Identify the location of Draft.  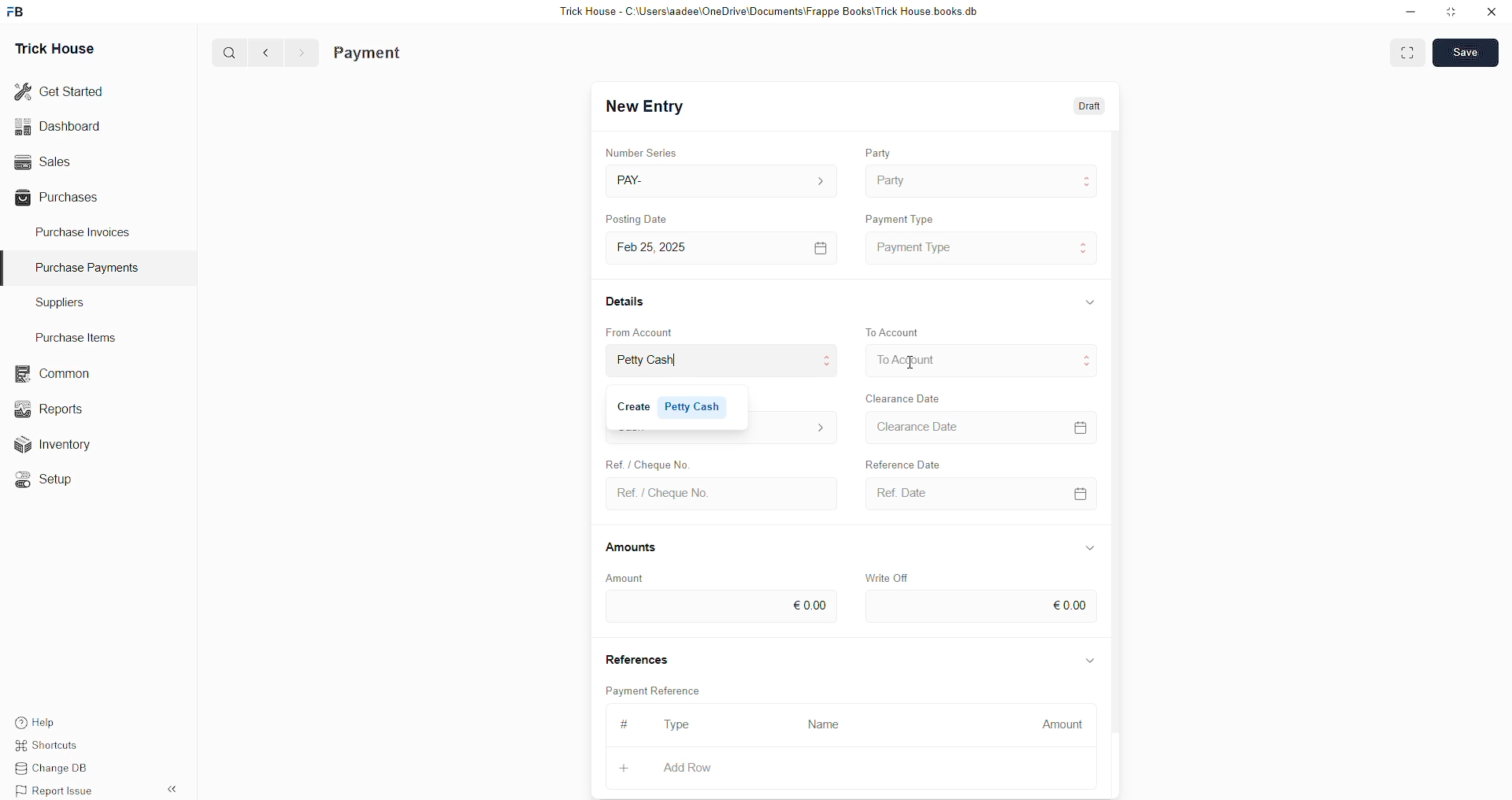
(1091, 107).